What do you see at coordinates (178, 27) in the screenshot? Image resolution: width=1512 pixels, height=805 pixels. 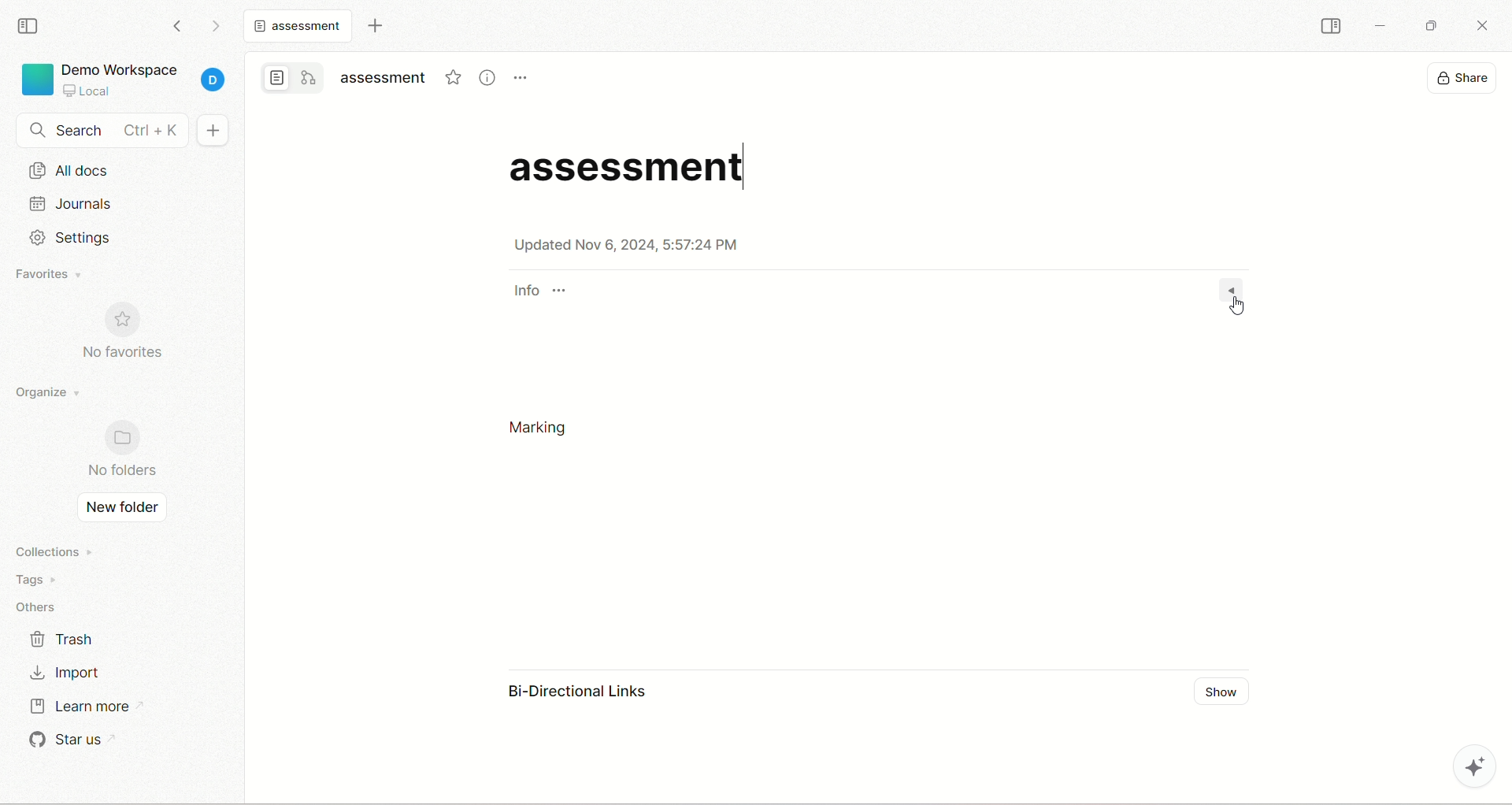 I see `go back` at bounding box center [178, 27].